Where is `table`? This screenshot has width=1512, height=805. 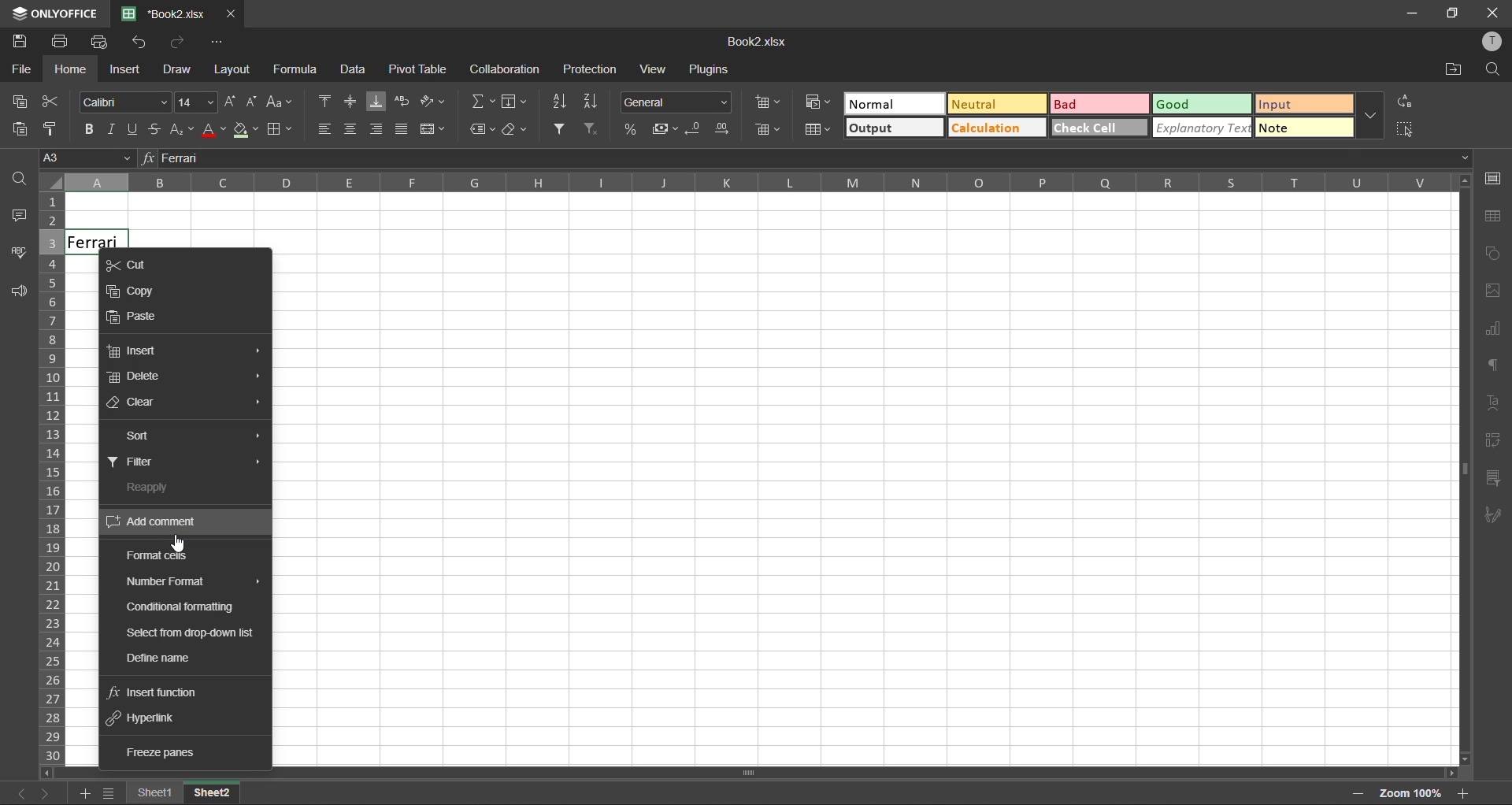
table is located at coordinates (1495, 221).